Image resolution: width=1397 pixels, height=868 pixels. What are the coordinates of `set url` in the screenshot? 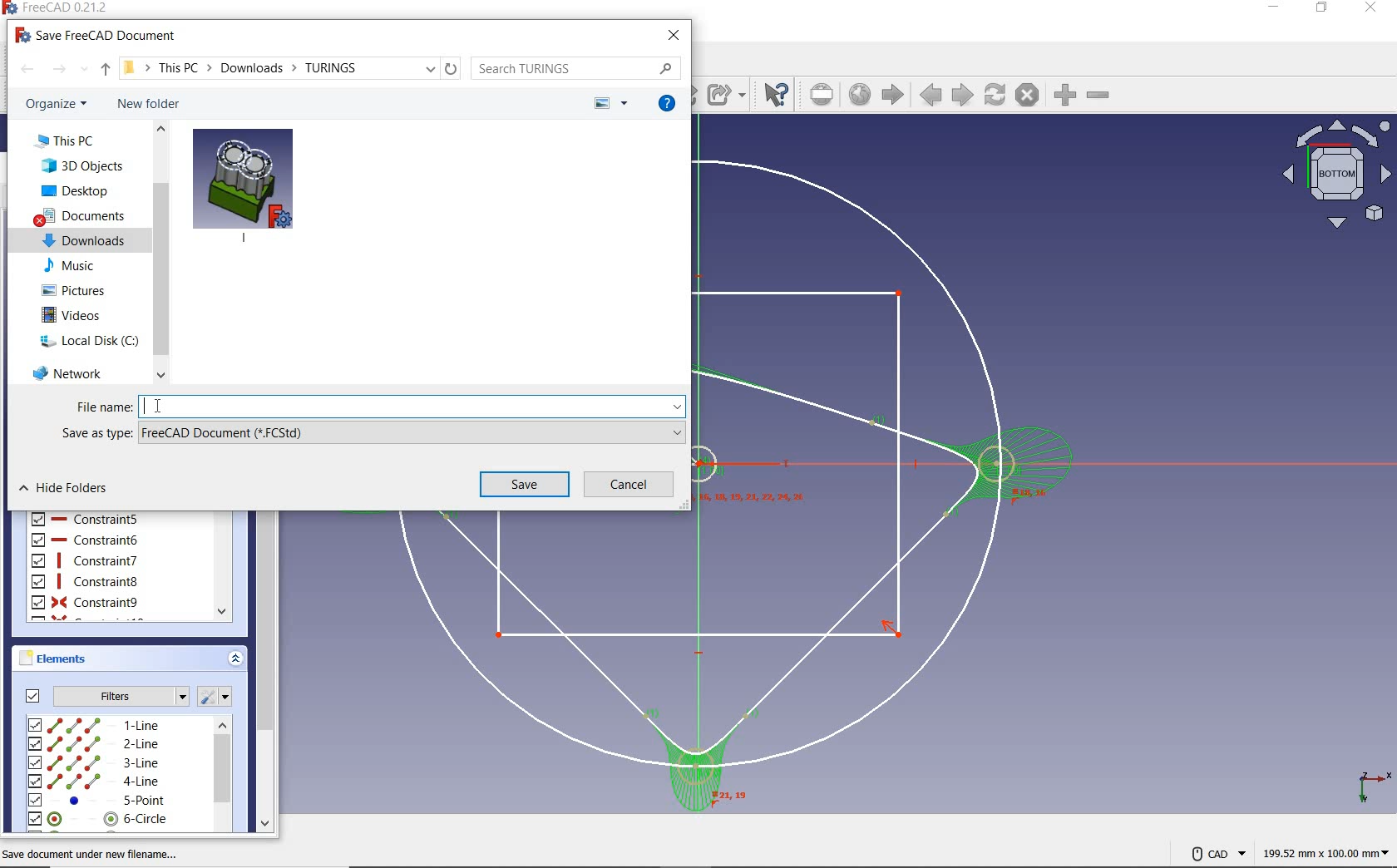 It's located at (823, 95).